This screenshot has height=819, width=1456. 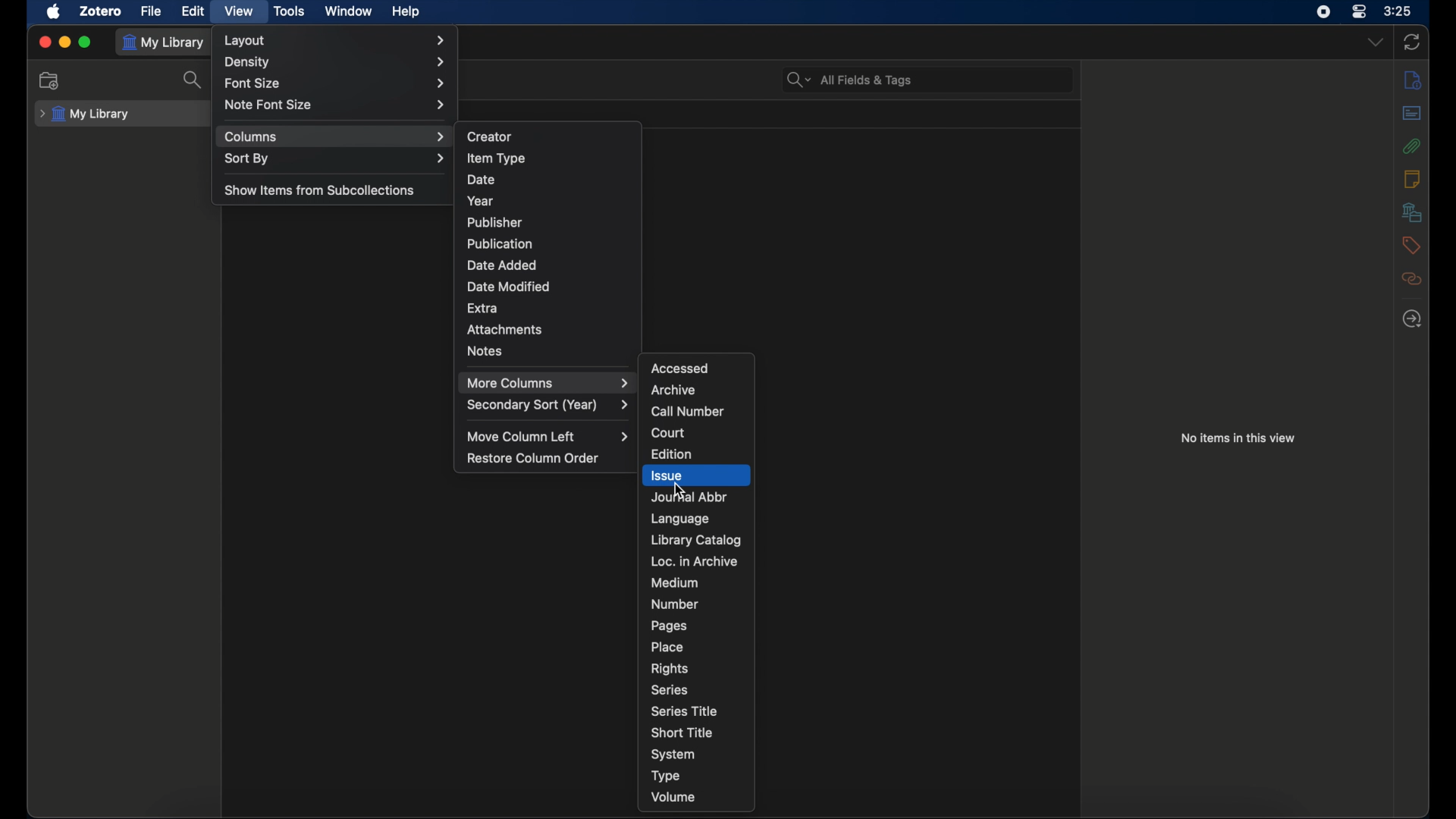 I want to click on place, so click(x=667, y=647).